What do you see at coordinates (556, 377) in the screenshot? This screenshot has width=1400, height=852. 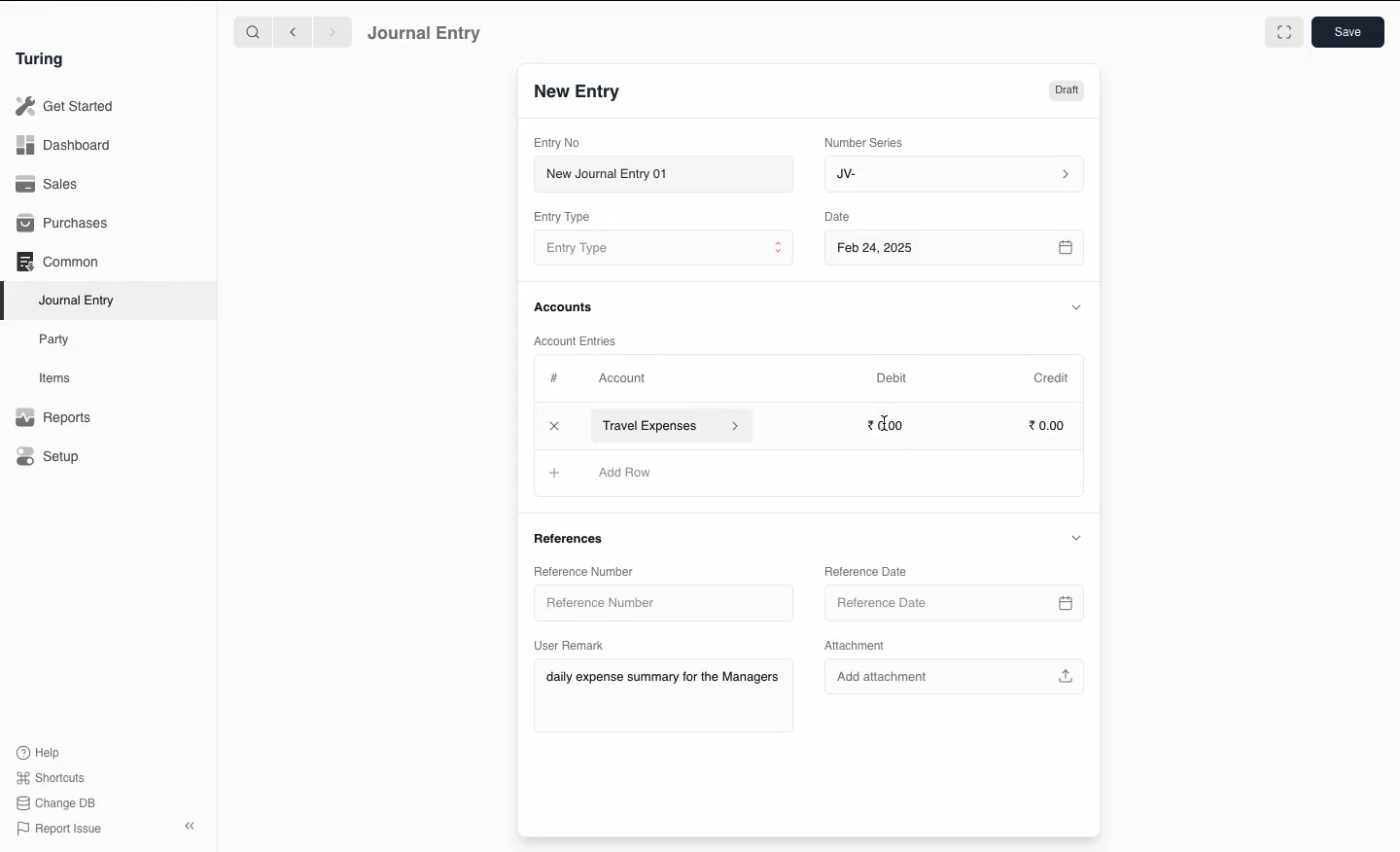 I see `Hashtag` at bounding box center [556, 377].